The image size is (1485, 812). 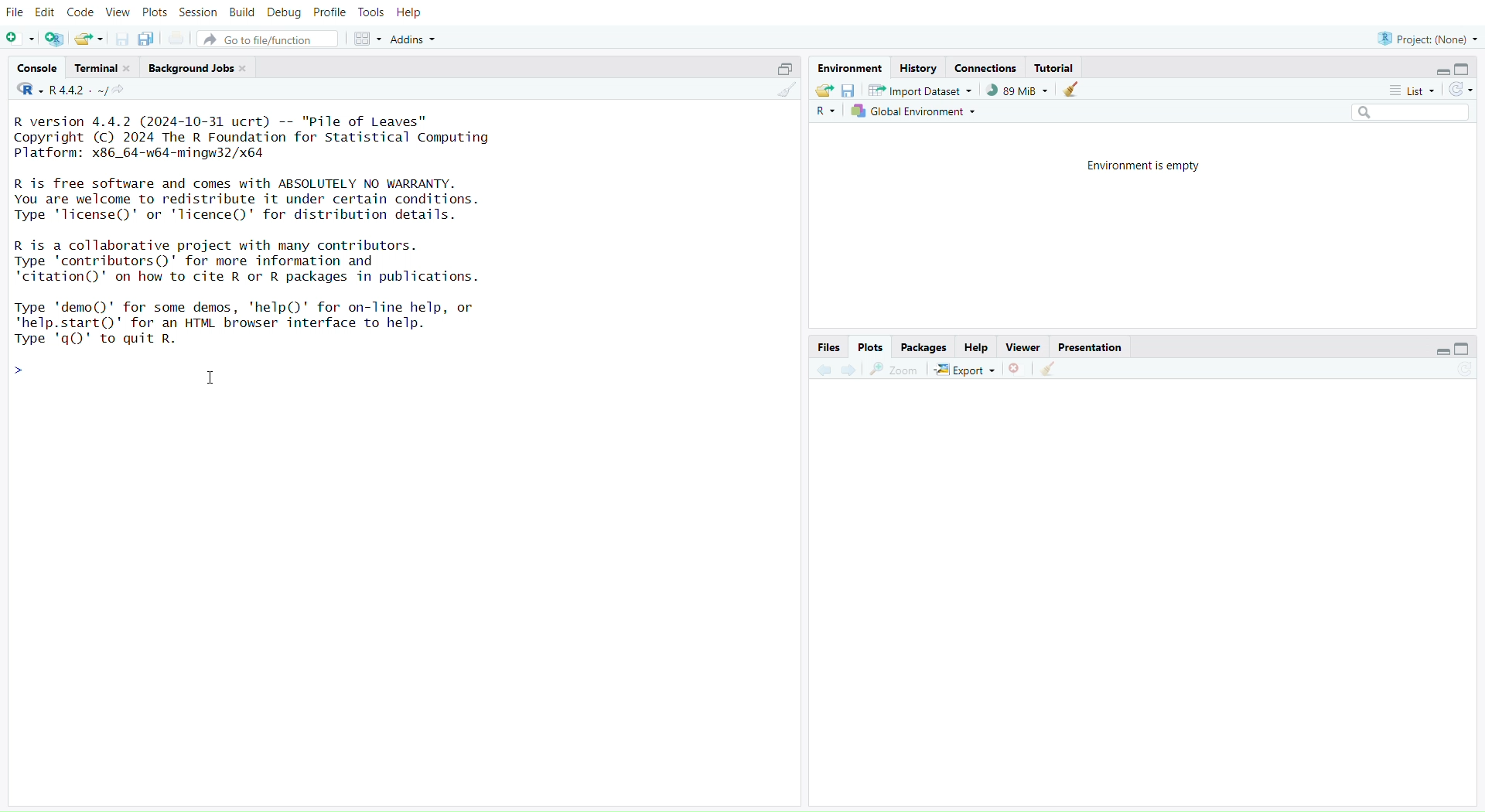 What do you see at coordinates (1425, 37) in the screenshot?
I see `Project (Note)` at bounding box center [1425, 37].